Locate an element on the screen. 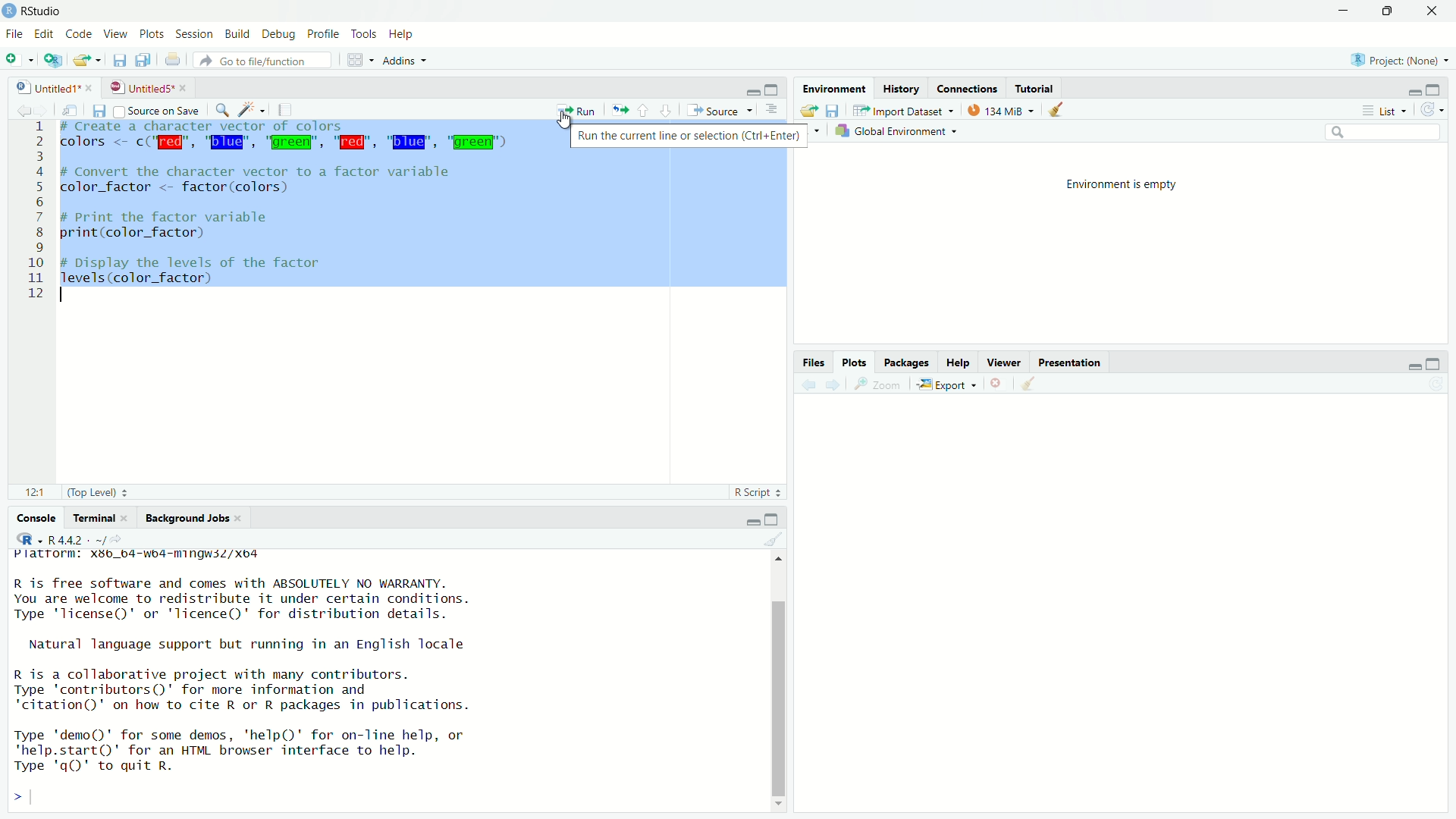 This screenshot has width=1456, height=819. minimize is located at coordinates (1406, 87).